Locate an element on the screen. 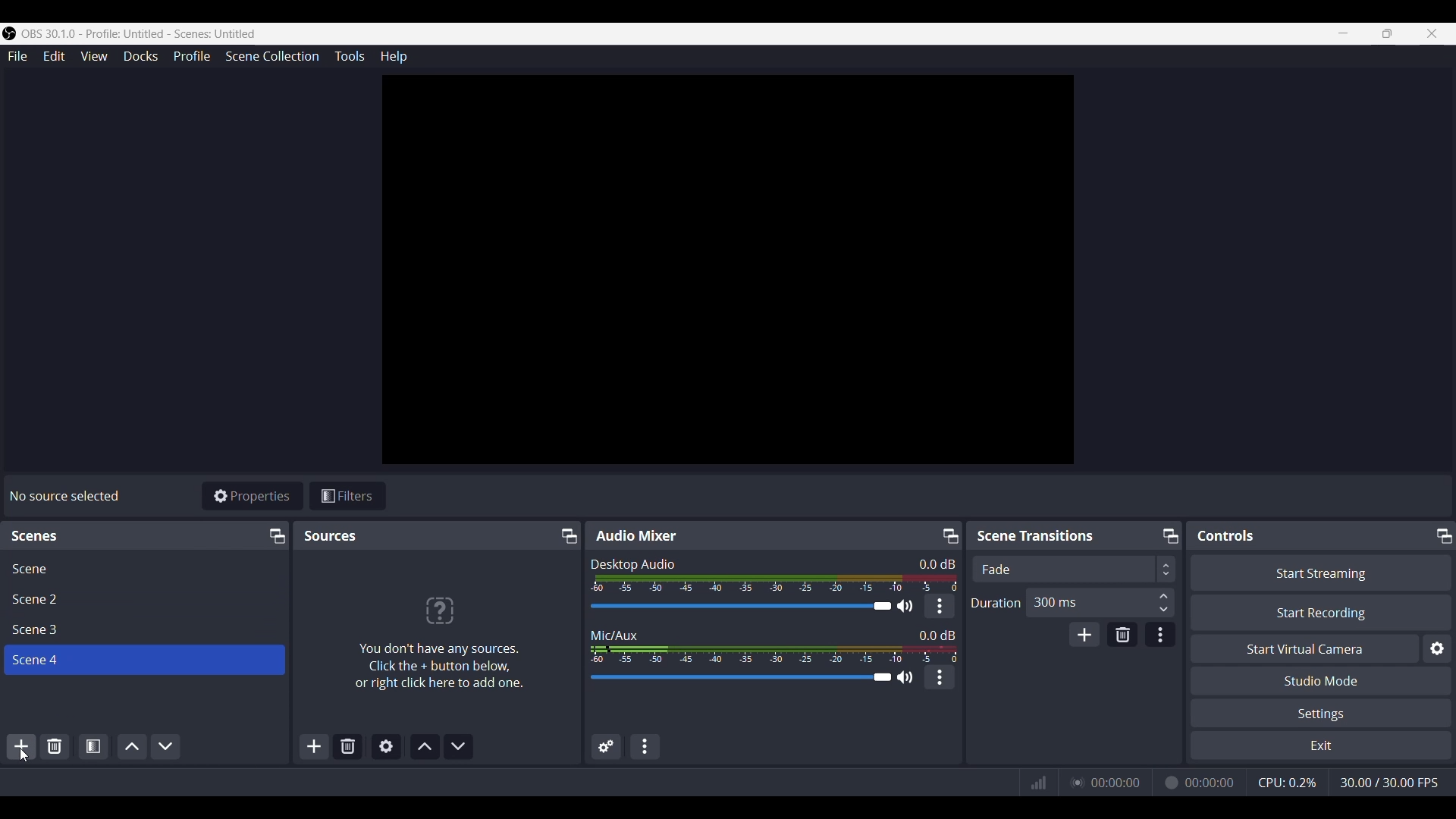 This screenshot has height=819, width=1456. Streaming is located at coordinates (1076, 782).